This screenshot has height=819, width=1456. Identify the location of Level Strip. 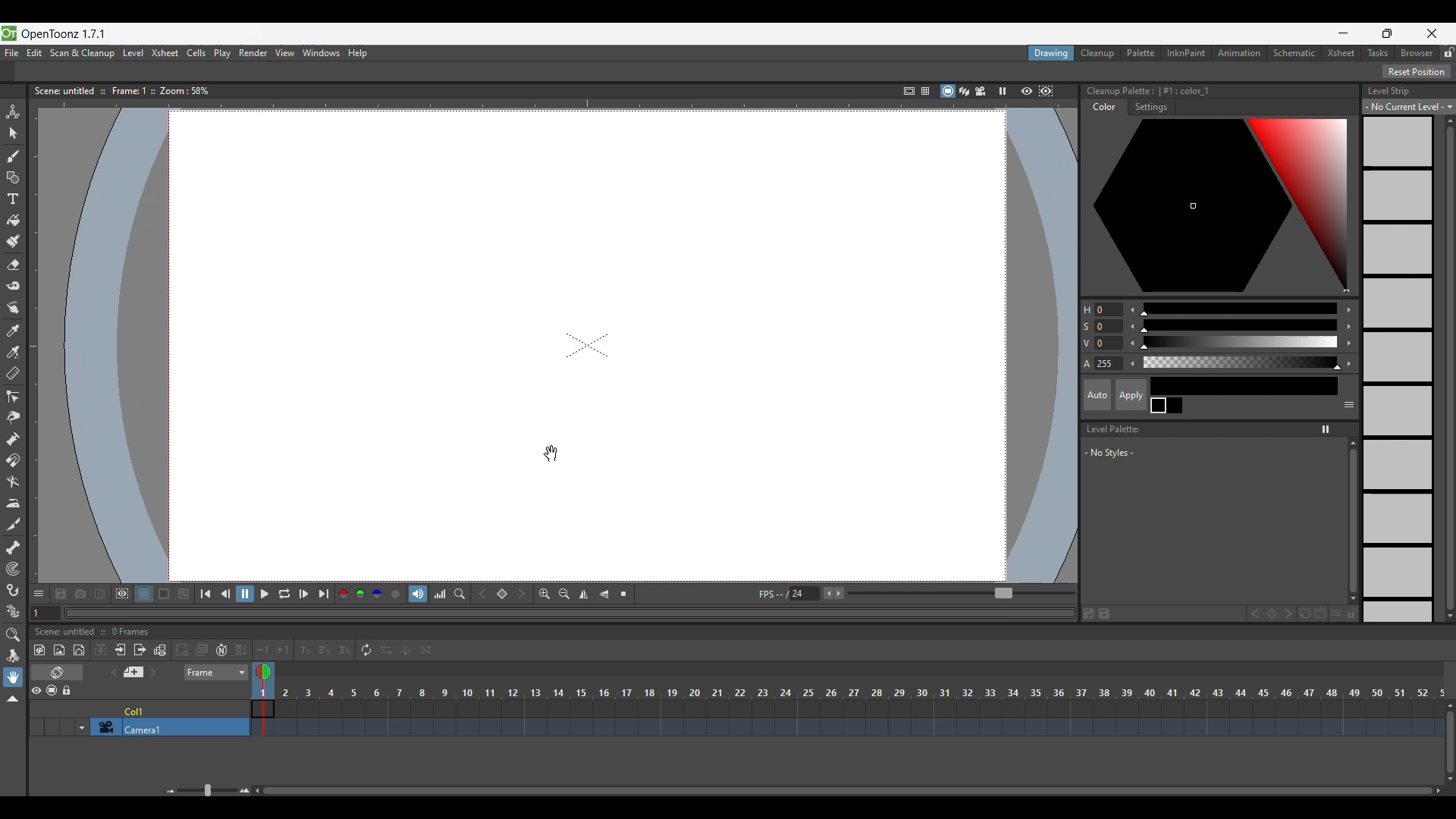
(1397, 89).